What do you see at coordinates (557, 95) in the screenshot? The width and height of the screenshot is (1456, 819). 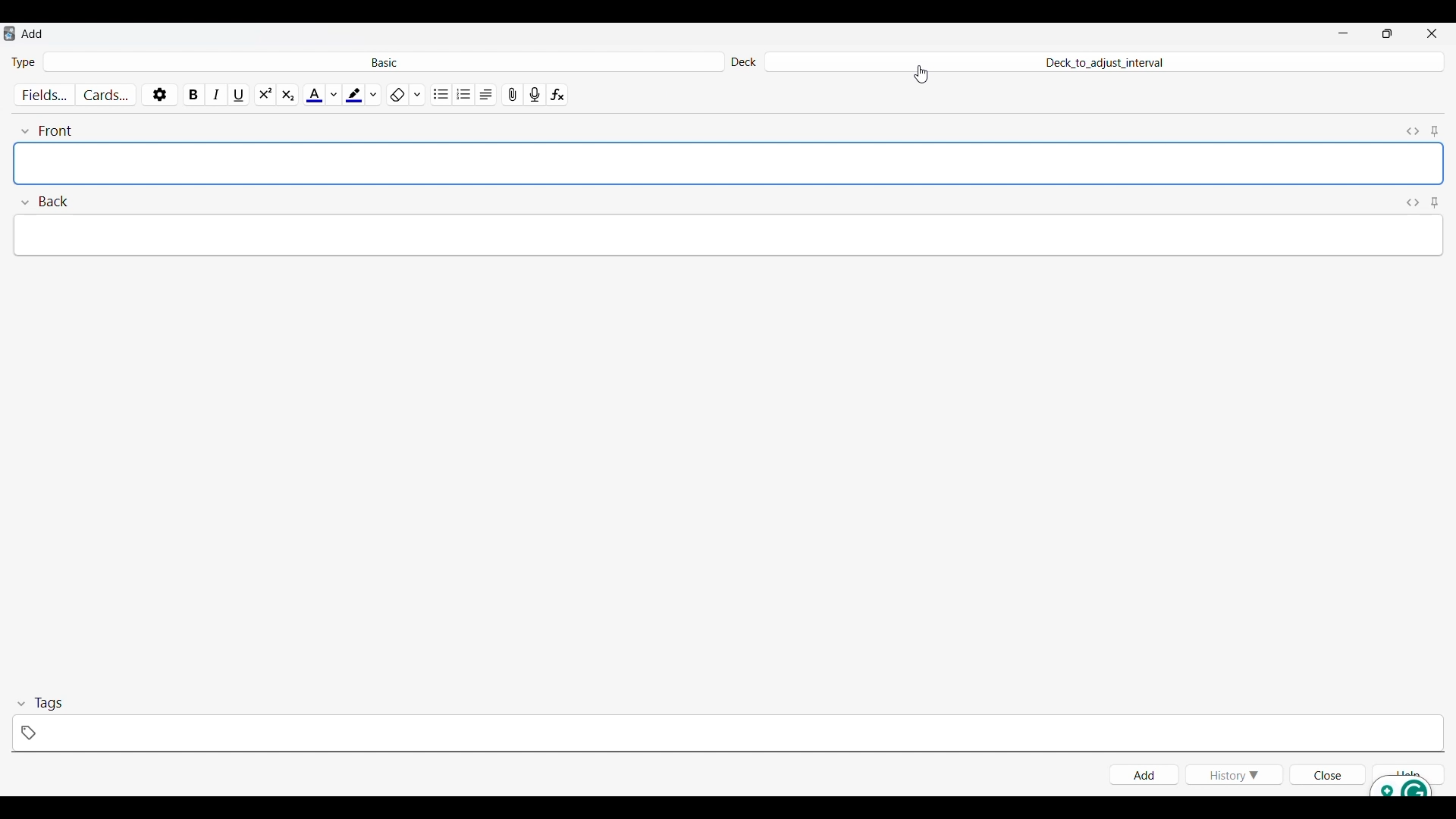 I see `Equations` at bounding box center [557, 95].